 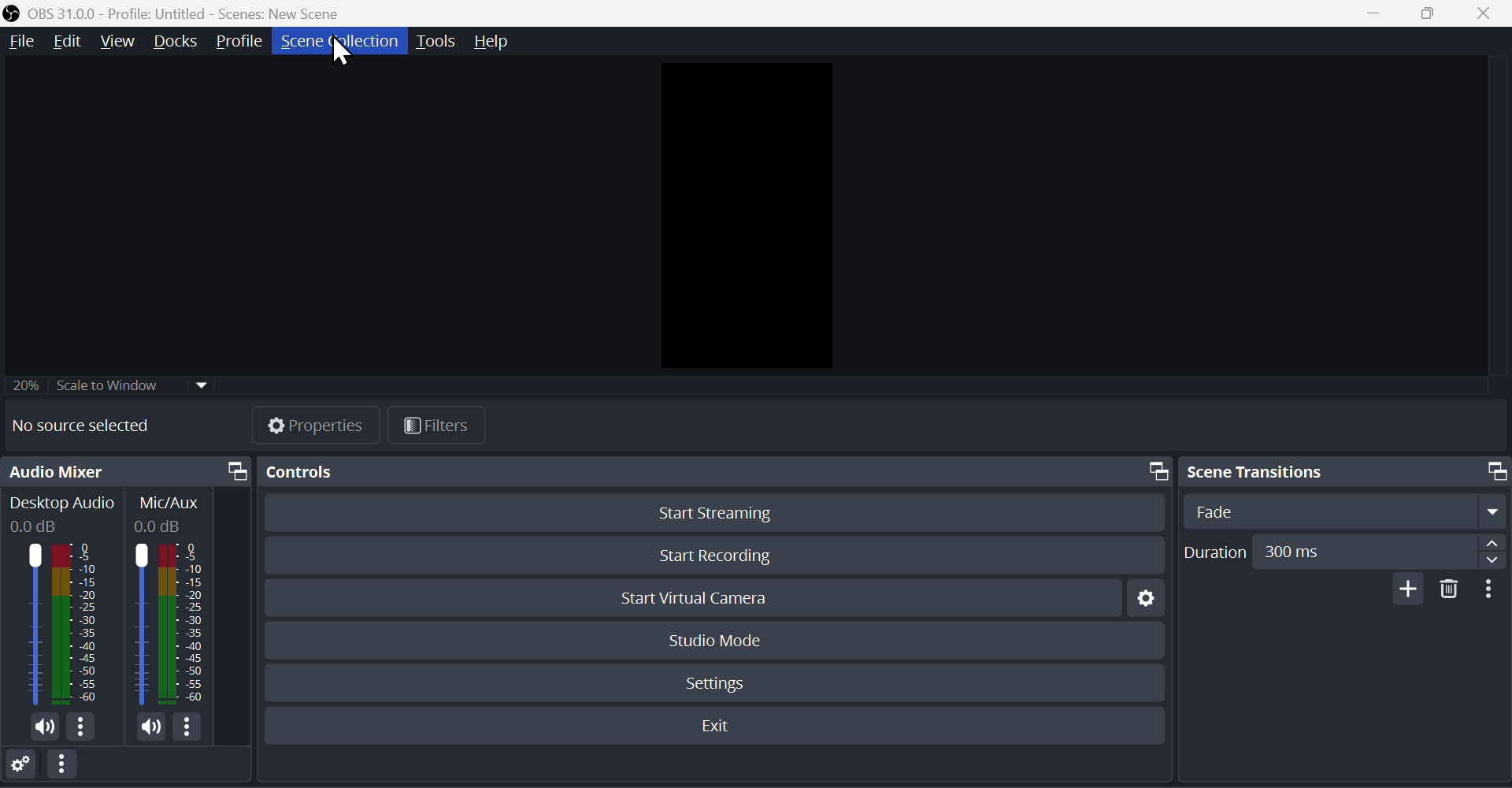 I want to click on Desktop Audio, so click(x=61, y=514).